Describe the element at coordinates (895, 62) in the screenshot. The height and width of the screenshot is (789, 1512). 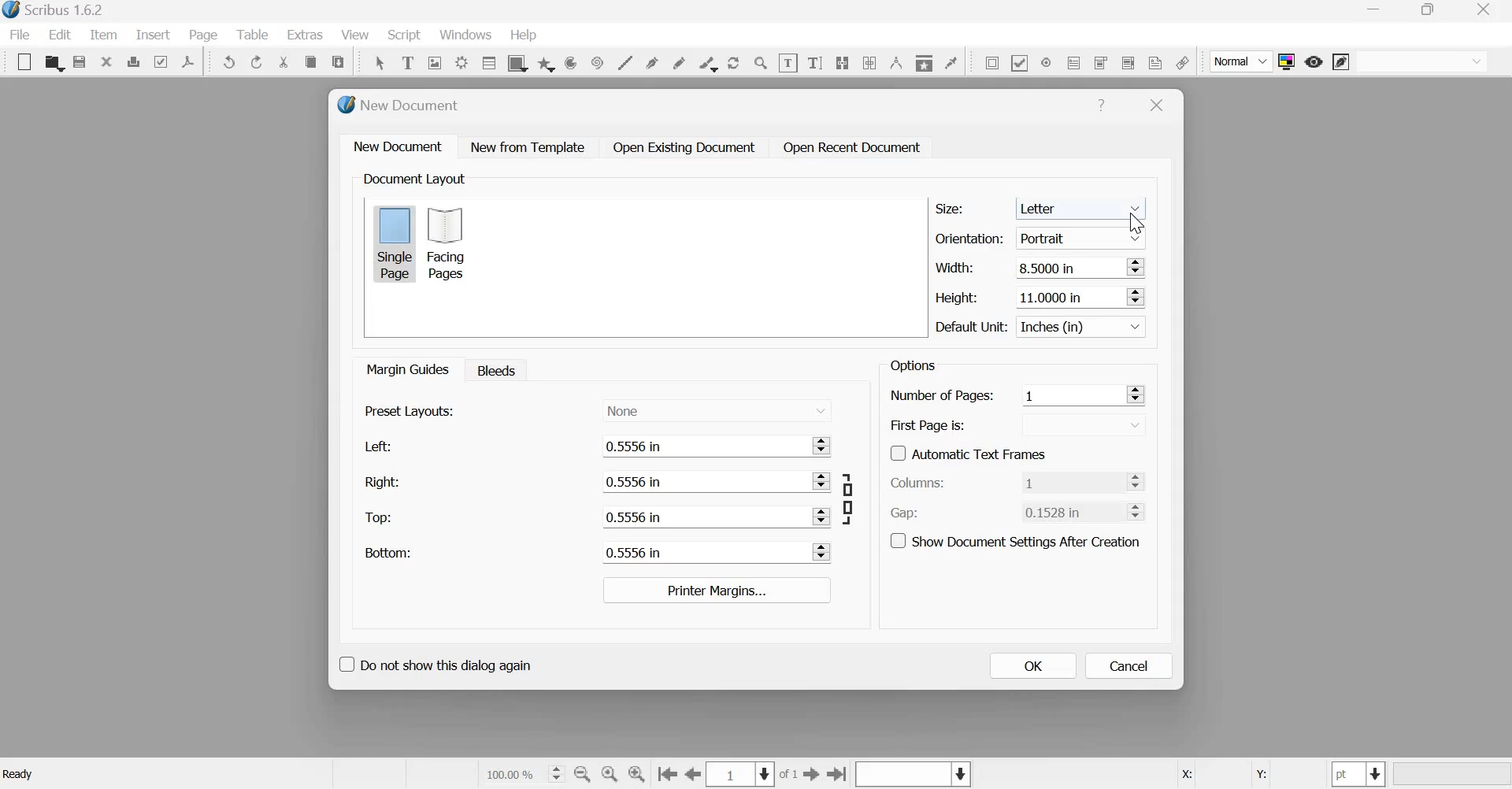
I see `Measurements` at that location.